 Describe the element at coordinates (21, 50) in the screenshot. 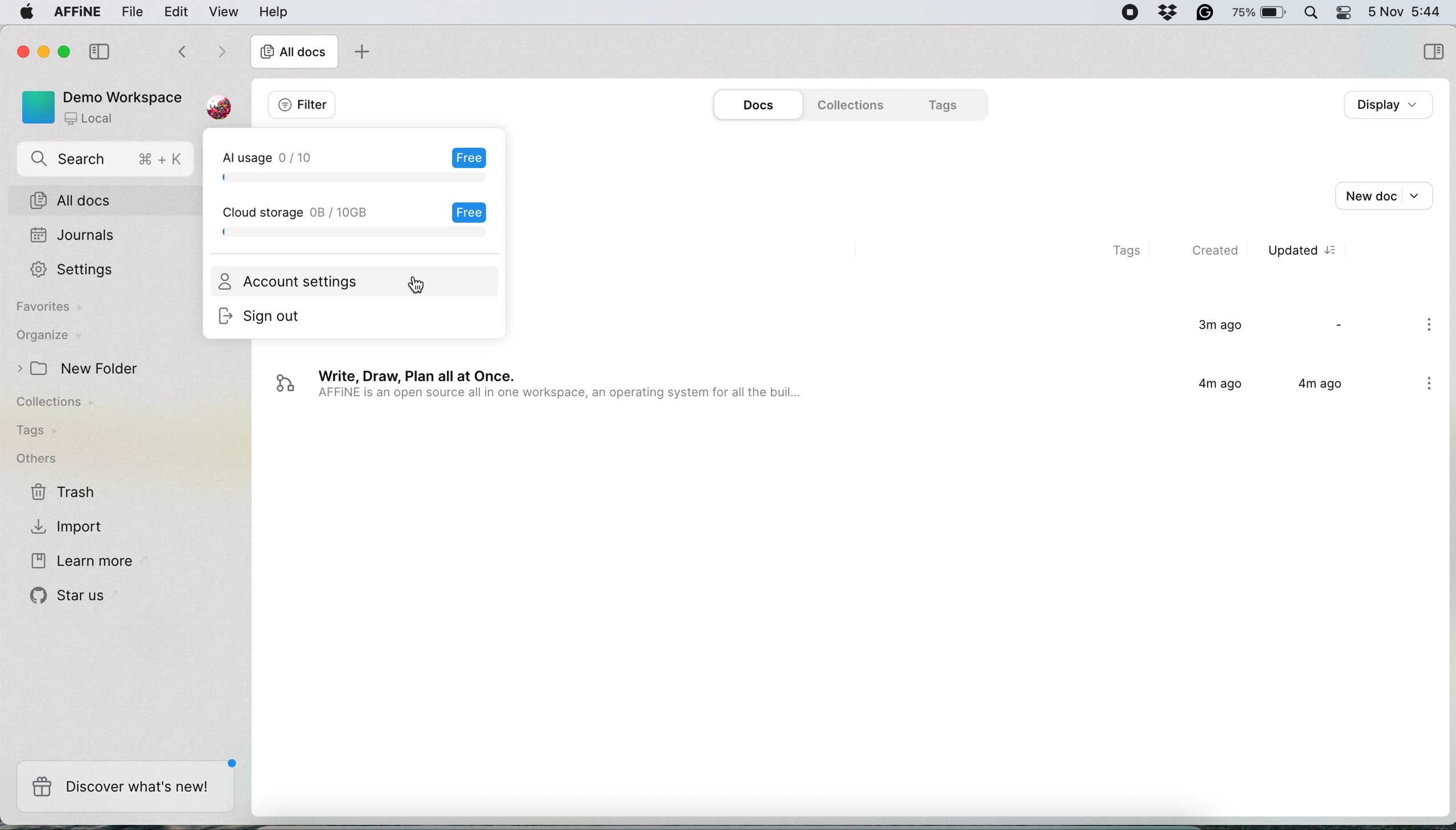

I see `close` at that location.